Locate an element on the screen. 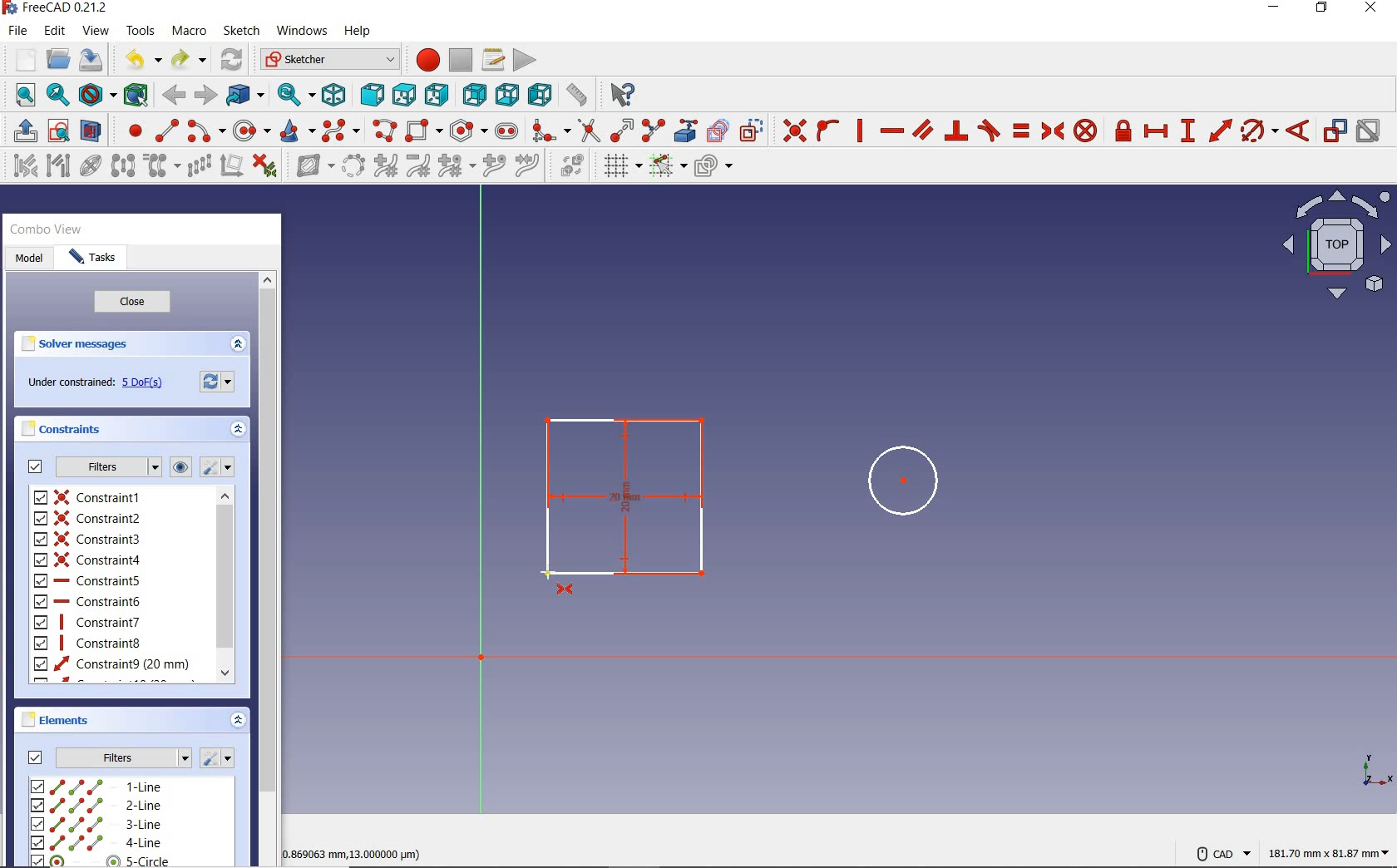 The height and width of the screenshot is (868, 1397). trim edge is located at coordinates (588, 131).